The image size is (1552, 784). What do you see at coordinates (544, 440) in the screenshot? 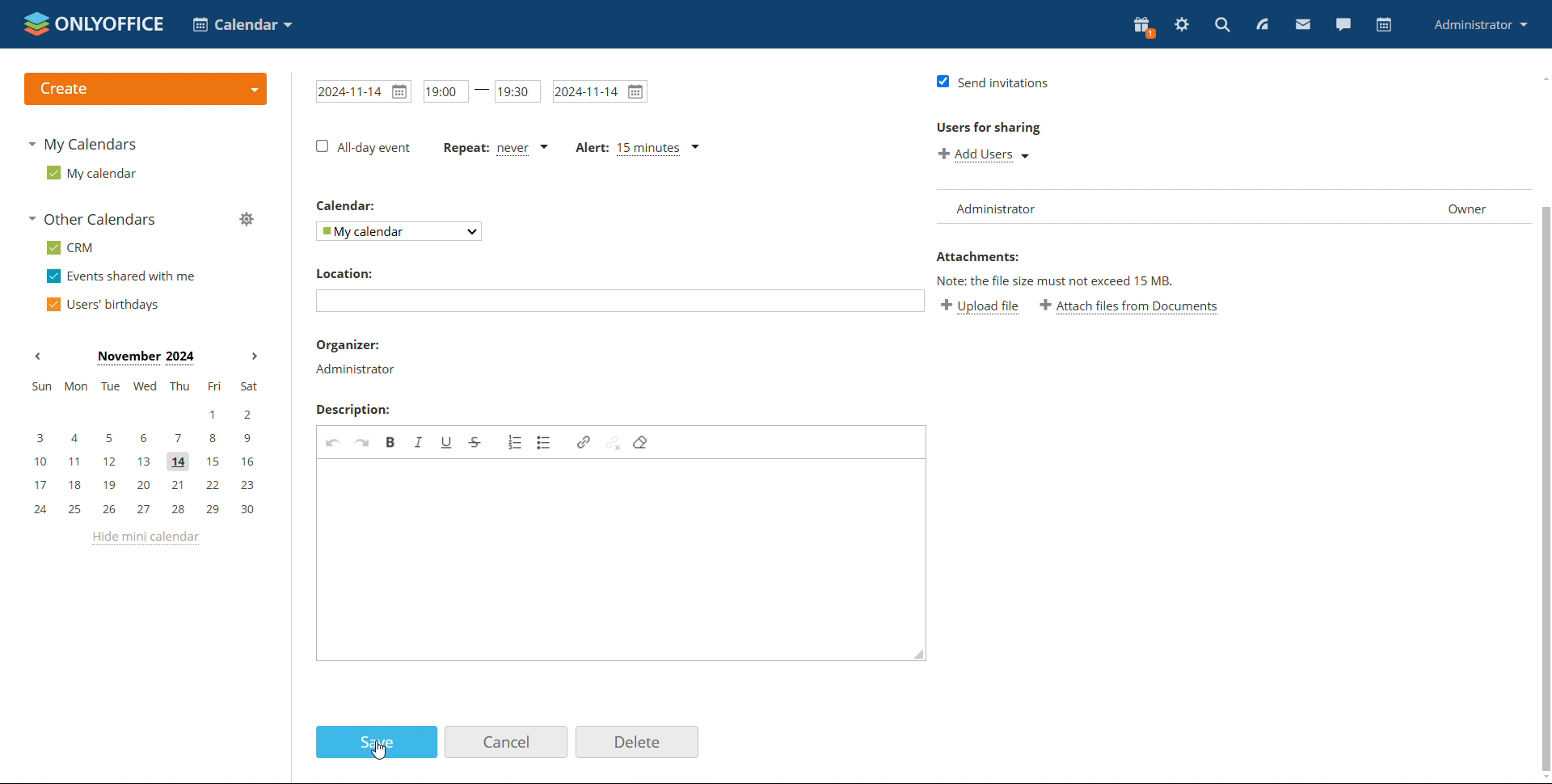
I see `insert/remove bulleted list` at bounding box center [544, 440].